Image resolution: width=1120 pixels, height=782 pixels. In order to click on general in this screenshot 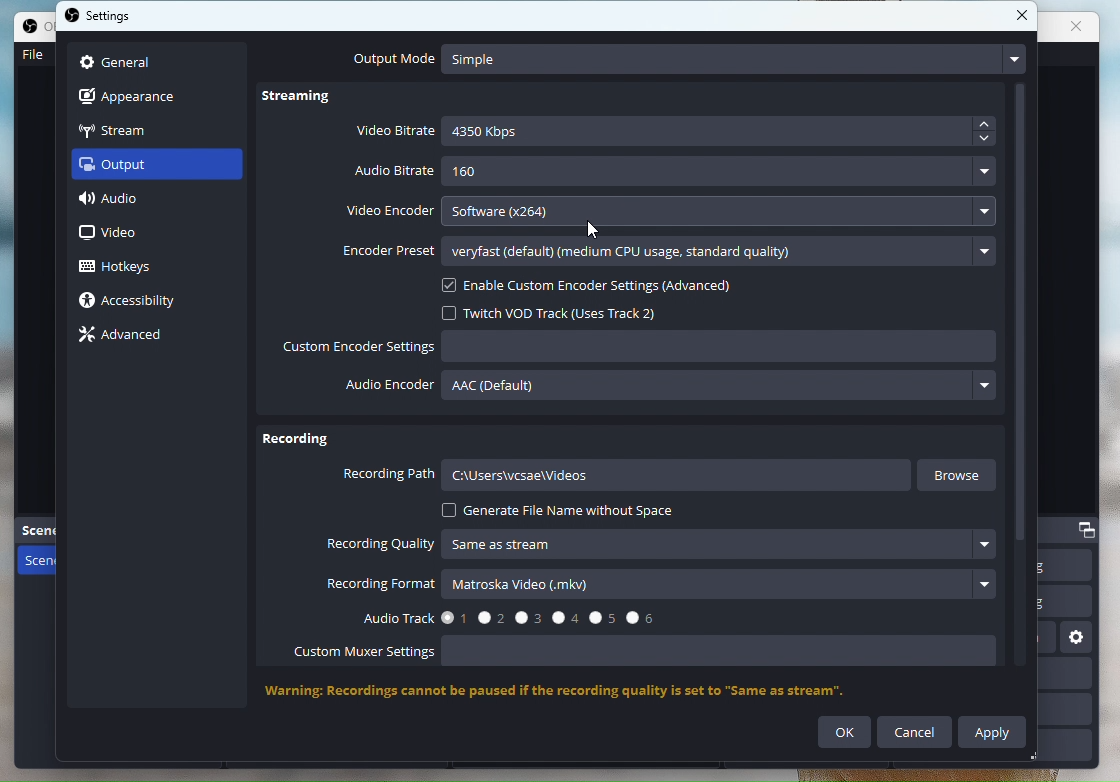, I will do `click(118, 60)`.